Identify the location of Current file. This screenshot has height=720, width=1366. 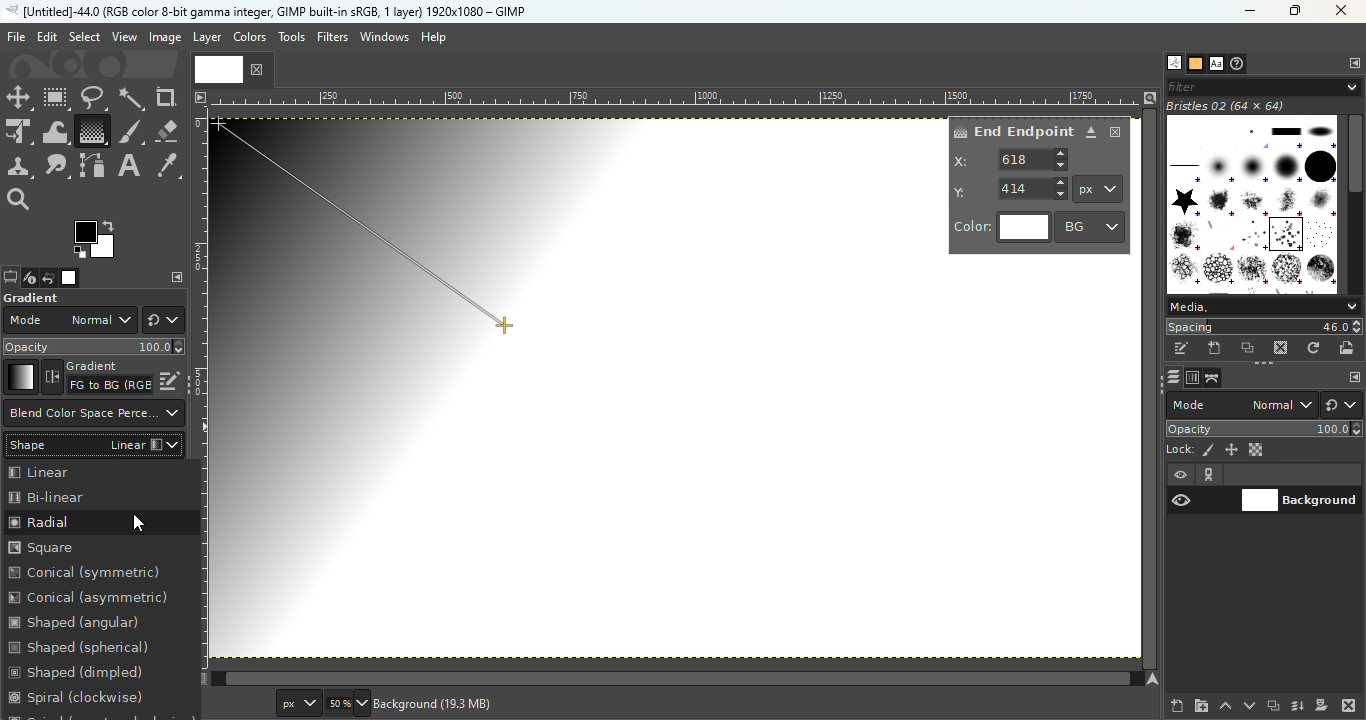
(233, 68).